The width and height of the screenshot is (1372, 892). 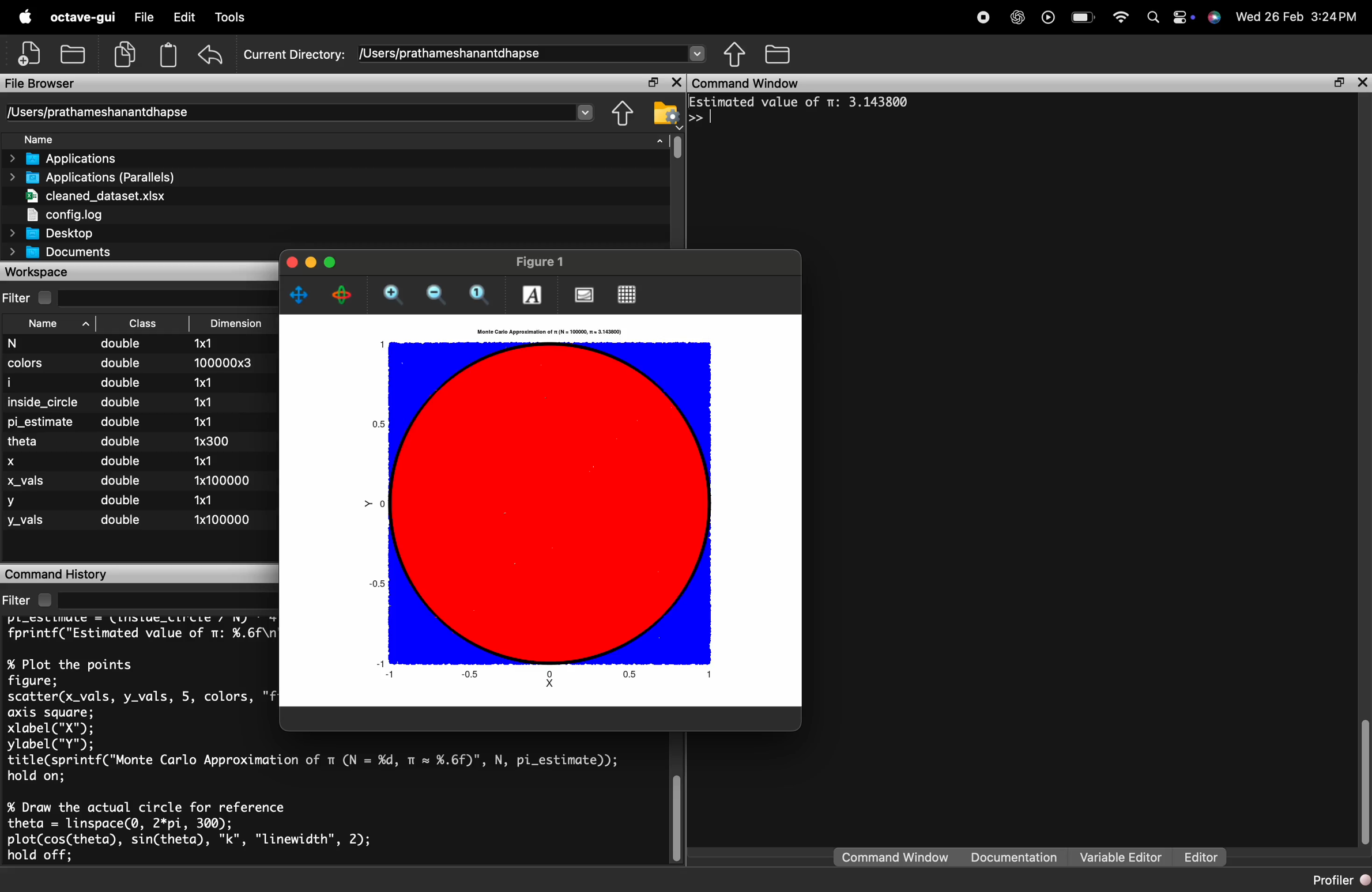 I want to click on  Wed 26 Feb, so click(x=1267, y=16).